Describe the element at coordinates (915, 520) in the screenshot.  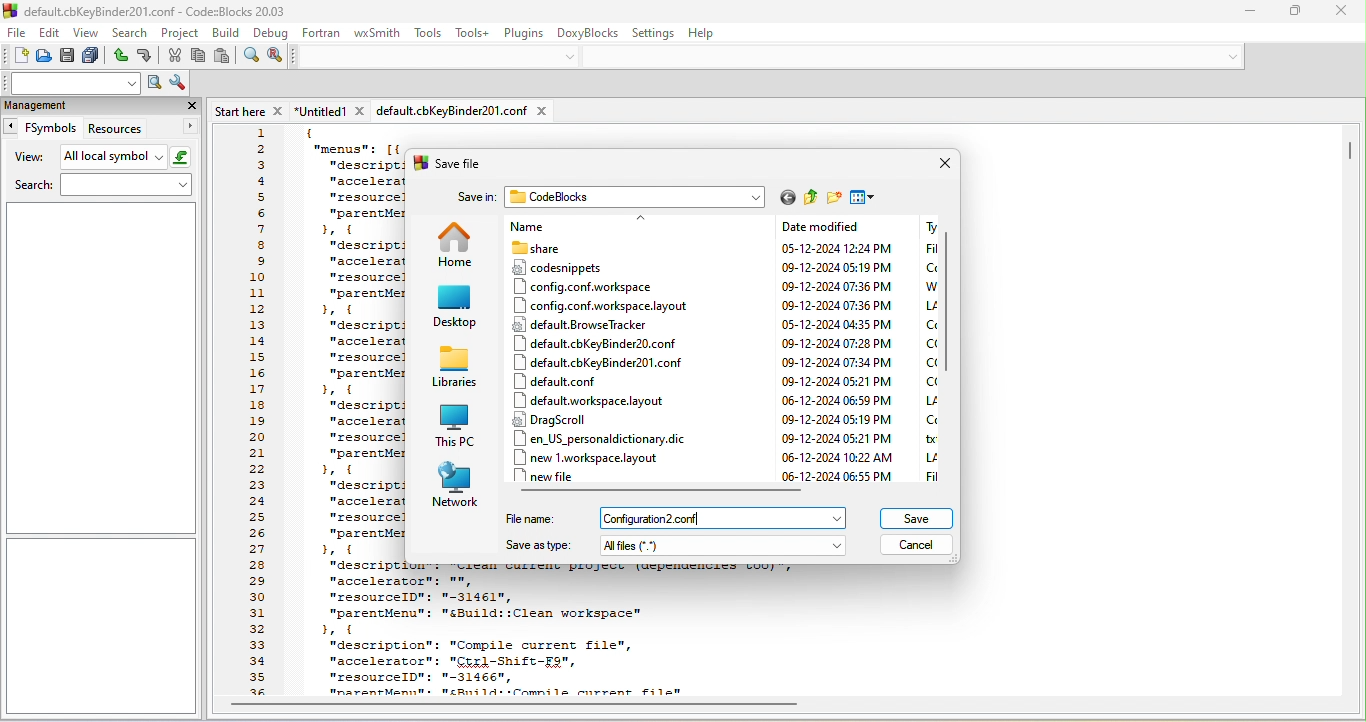
I see `save` at that location.